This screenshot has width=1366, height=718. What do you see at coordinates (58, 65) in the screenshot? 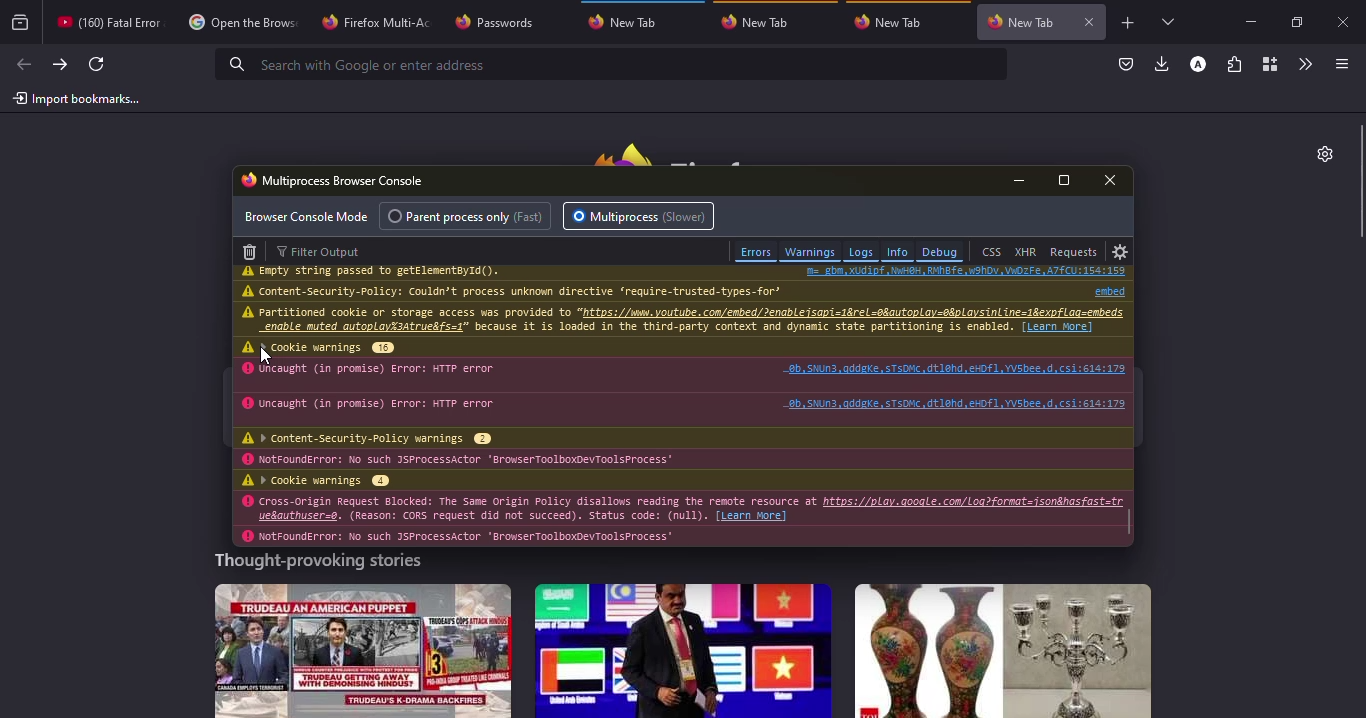
I see `forward` at bounding box center [58, 65].